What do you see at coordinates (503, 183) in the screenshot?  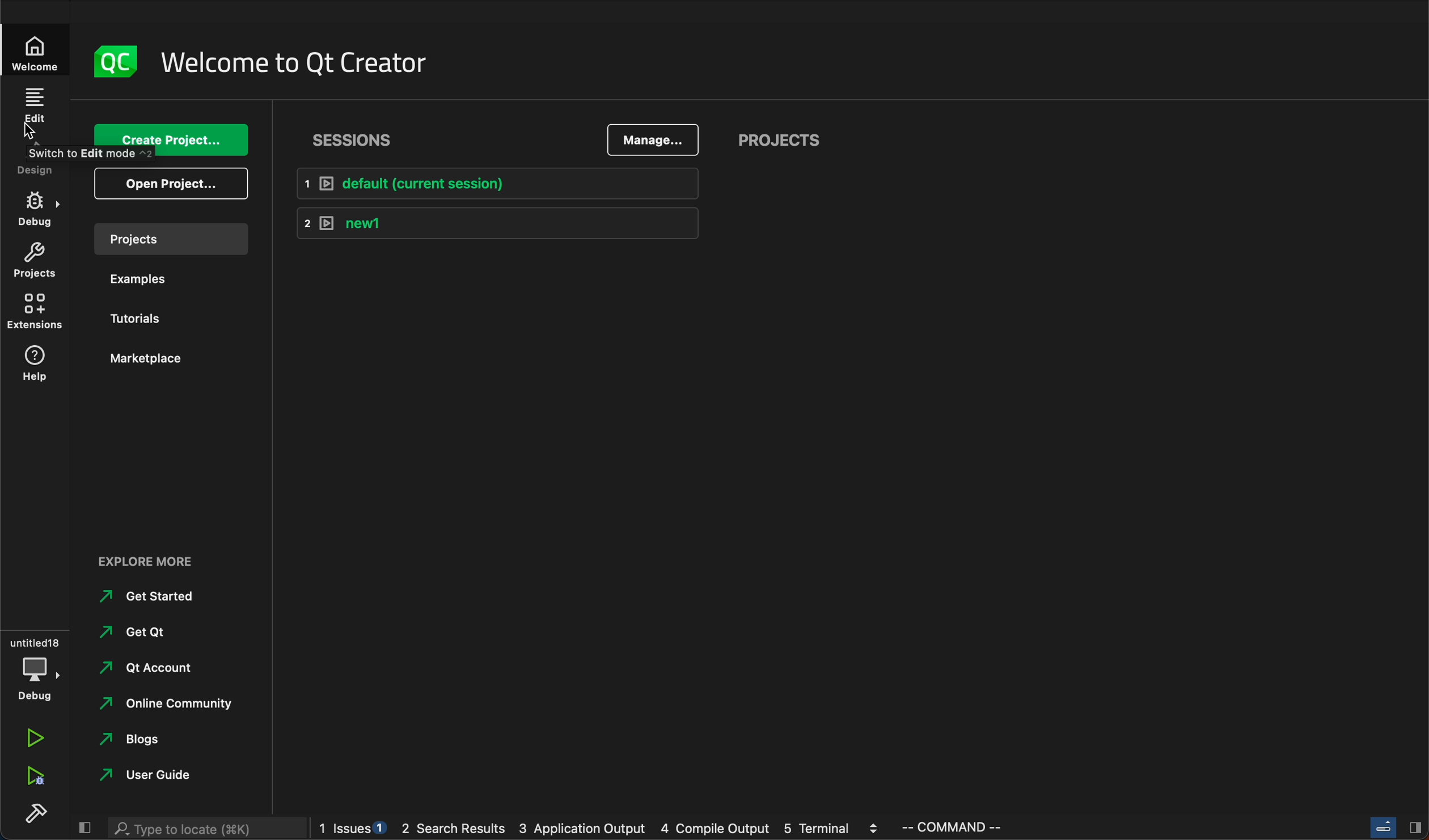 I see `default` at bounding box center [503, 183].